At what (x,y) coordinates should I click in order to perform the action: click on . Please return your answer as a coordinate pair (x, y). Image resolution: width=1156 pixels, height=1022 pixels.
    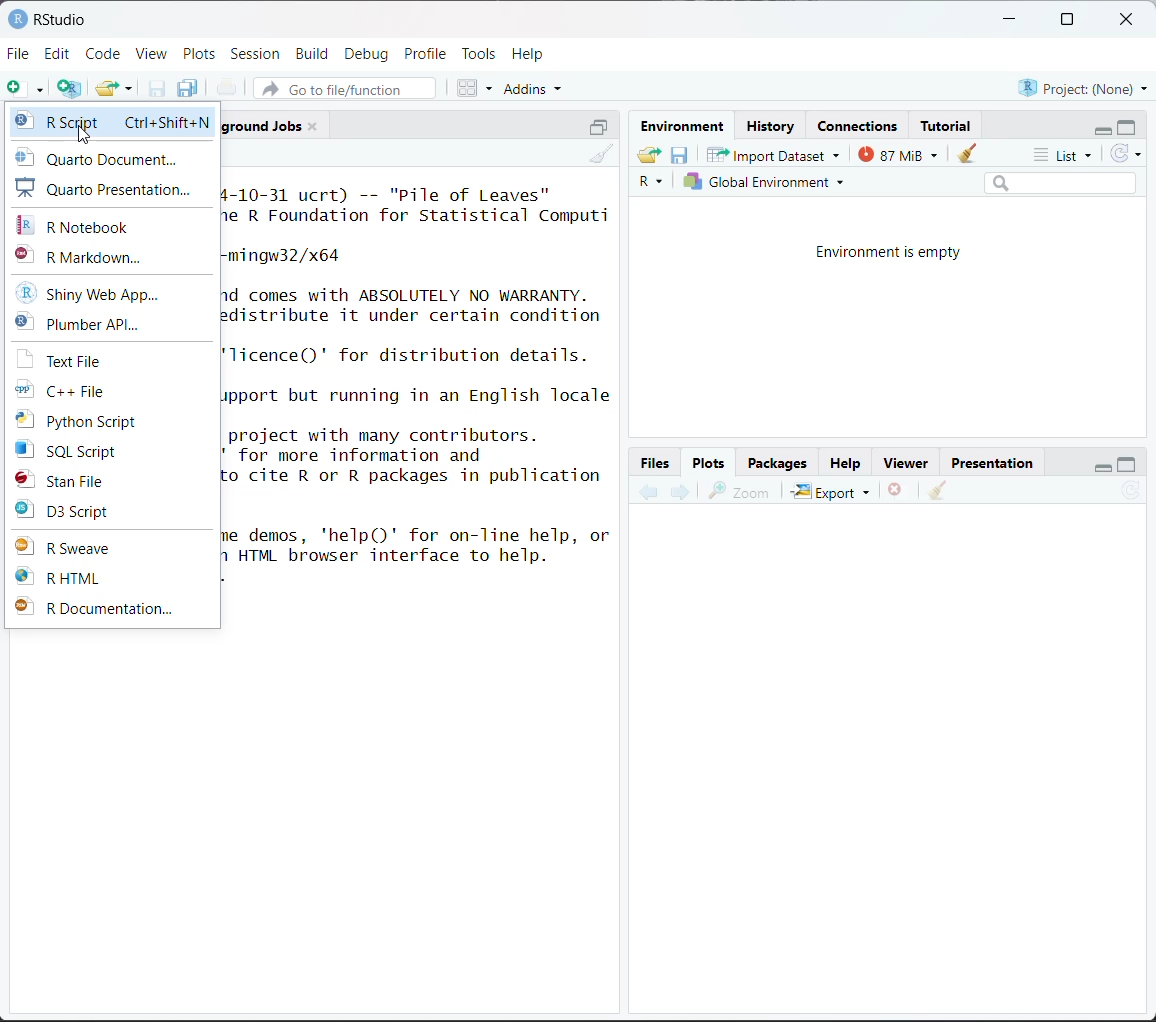
    Looking at the image, I should click on (594, 129).